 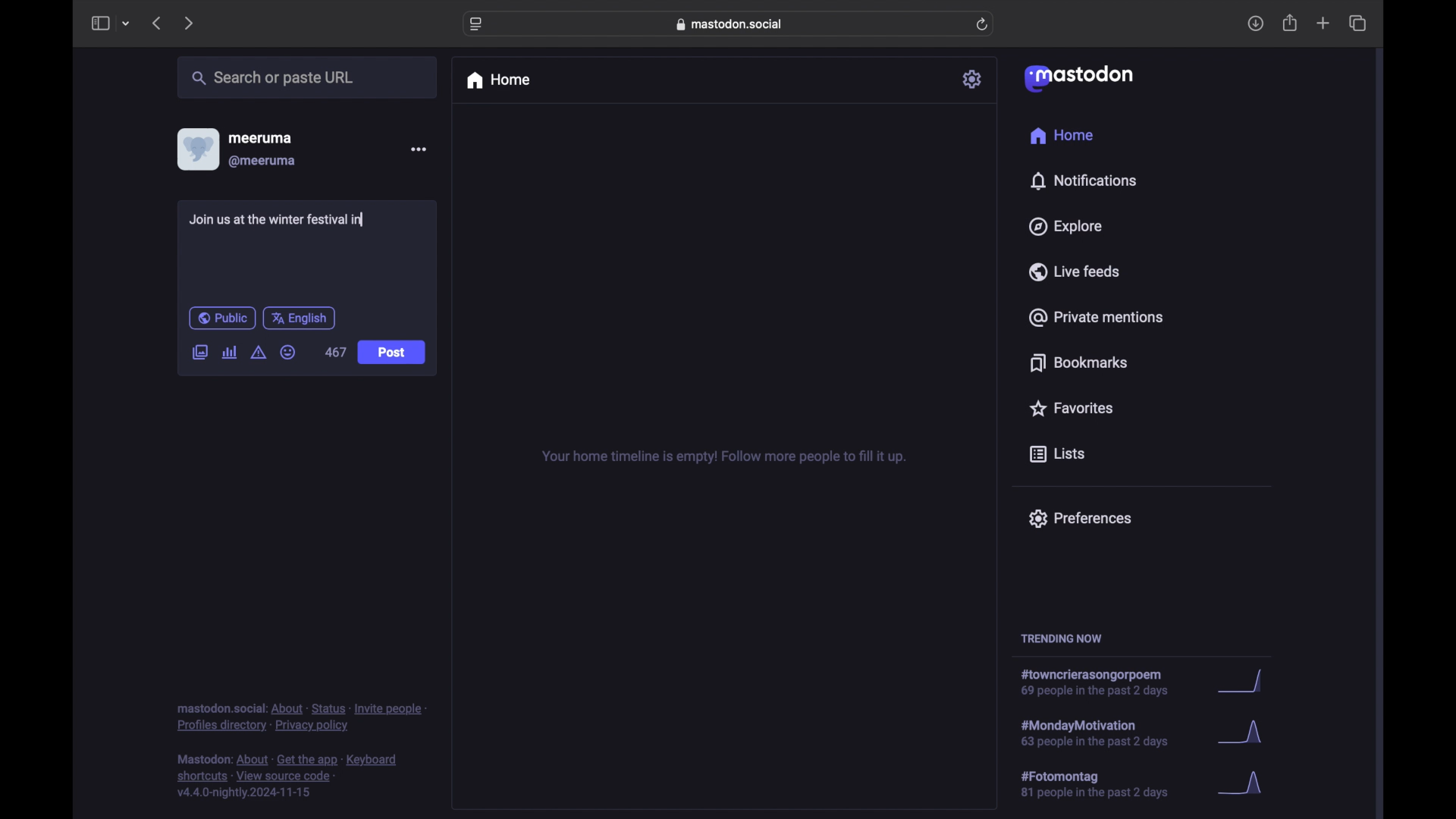 I want to click on emoji, so click(x=288, y=353).